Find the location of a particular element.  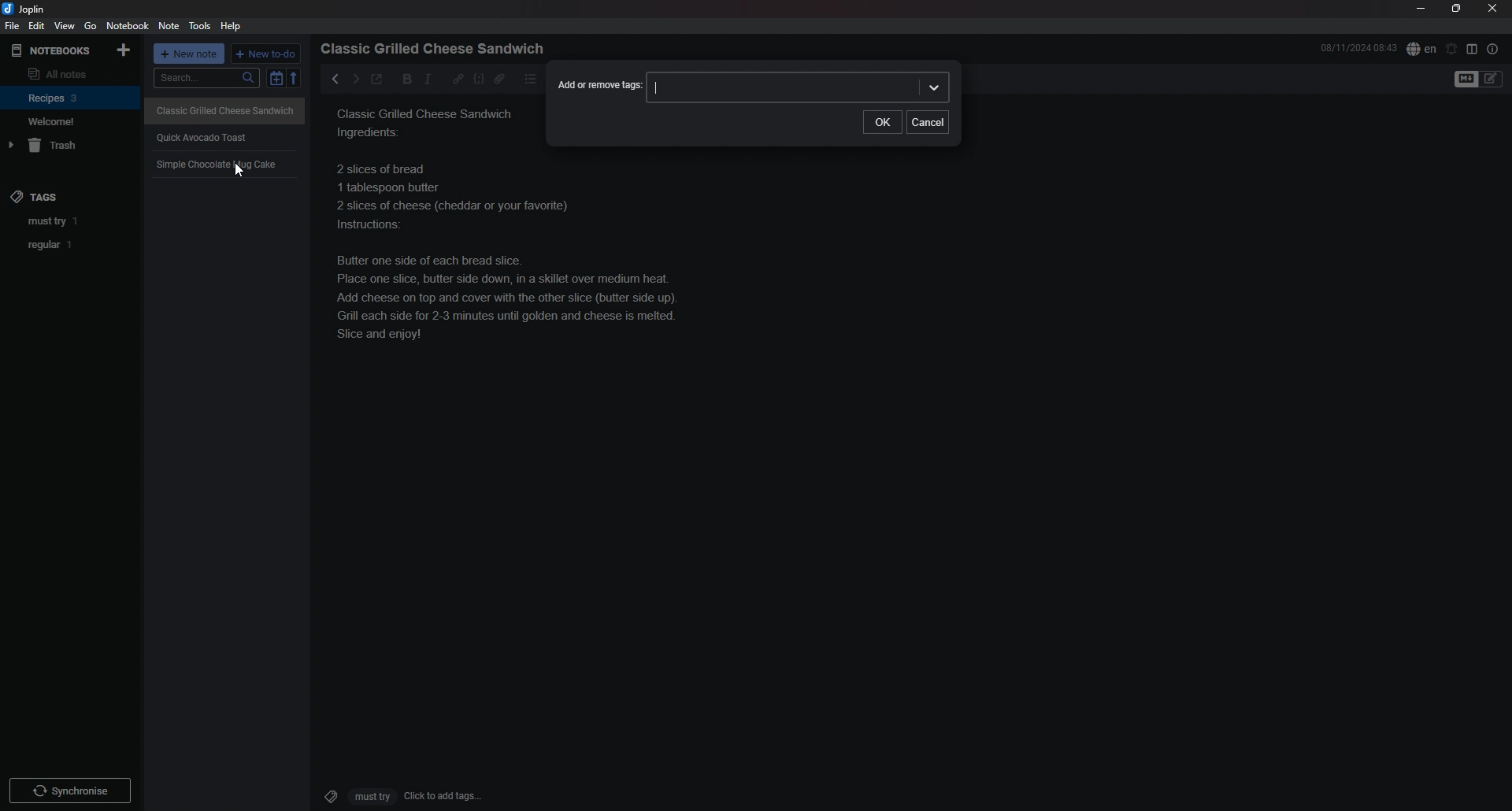

tools is located at coordinates (202, 26).